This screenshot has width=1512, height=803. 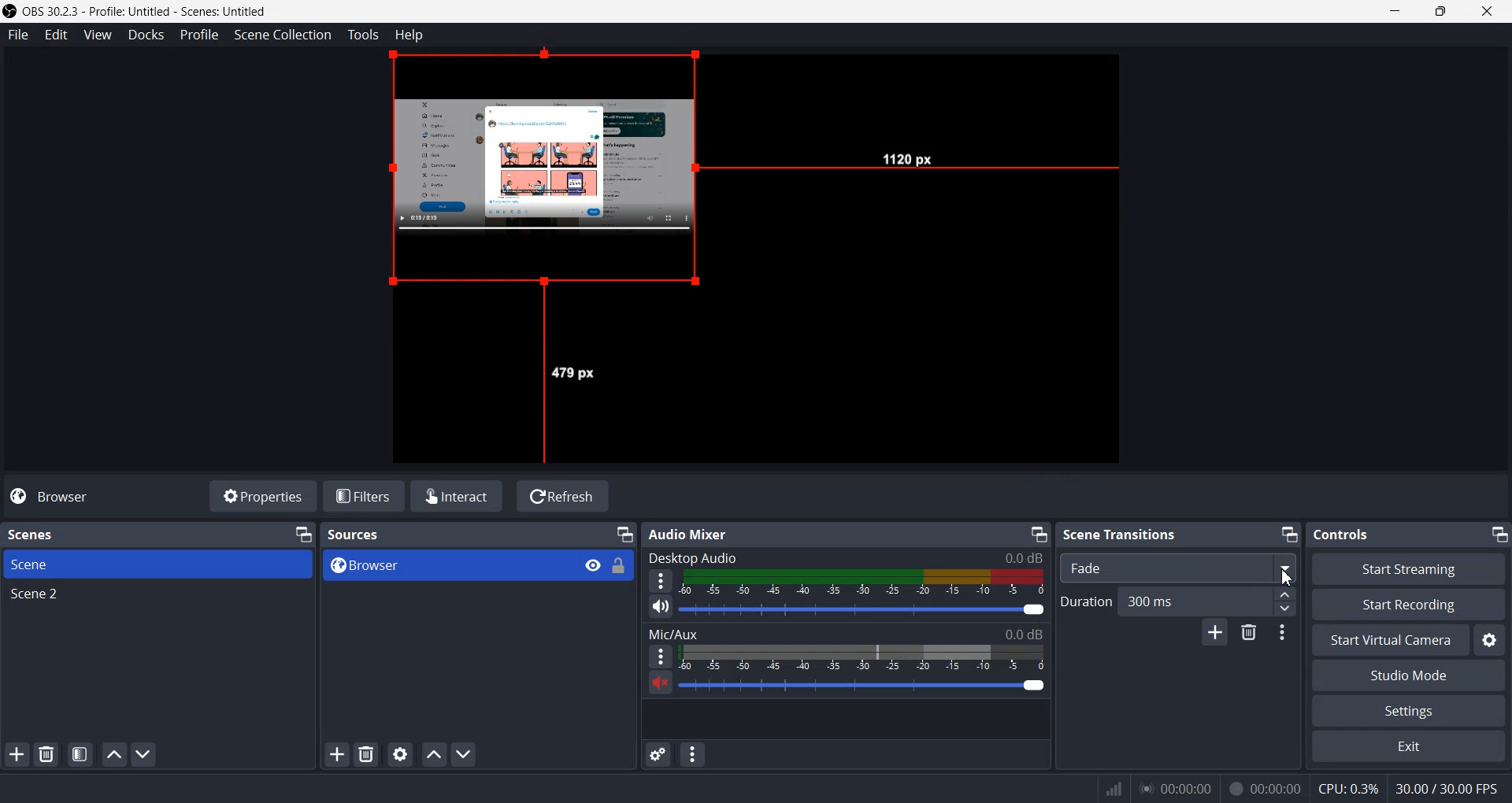 What do you see at coordinates (1447, 790) in the screenshot?
I see `` at bounding box center [1447, 790].